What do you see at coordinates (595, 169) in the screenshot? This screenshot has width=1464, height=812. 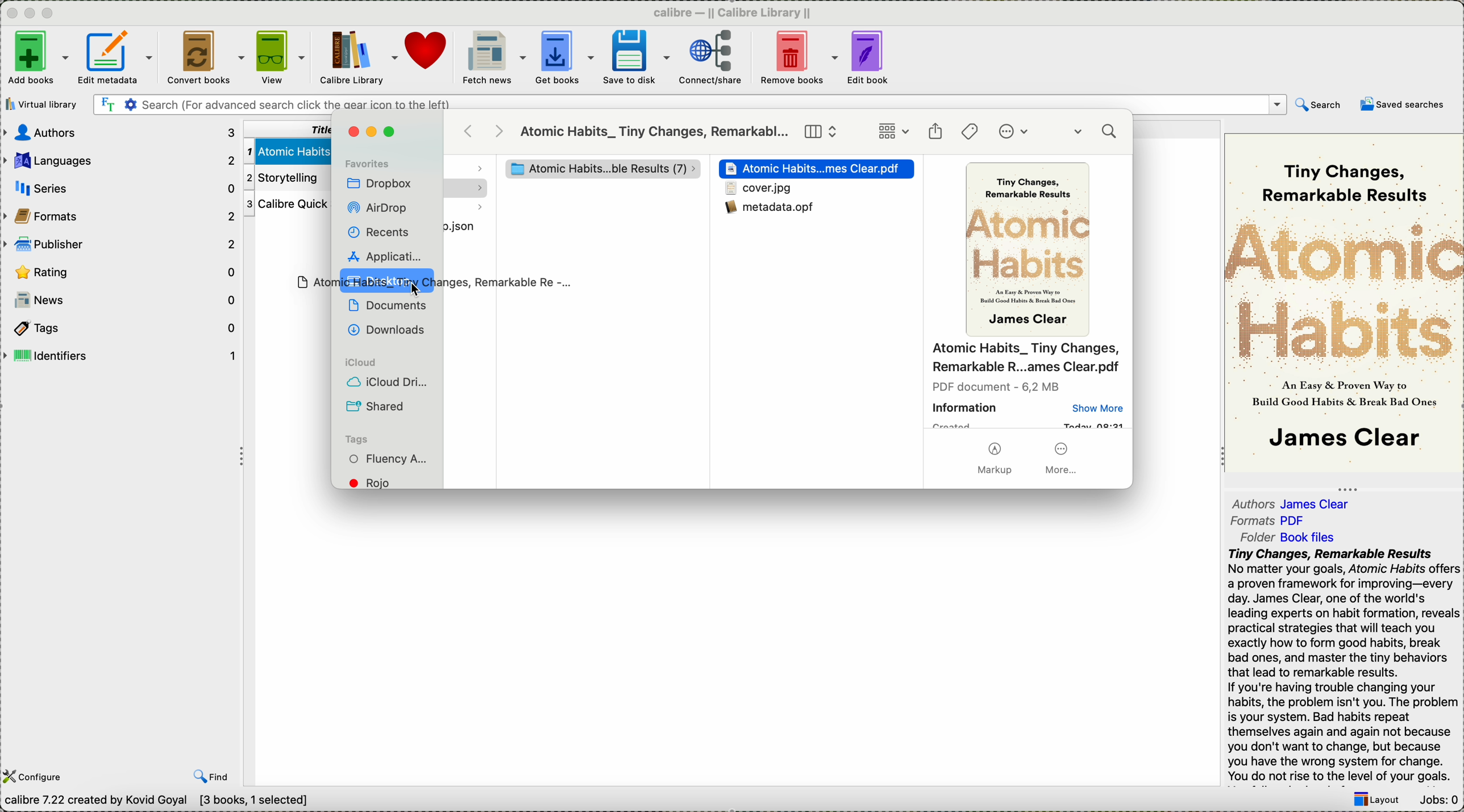 I see `bobette buster` at bounding box center [595, 169].